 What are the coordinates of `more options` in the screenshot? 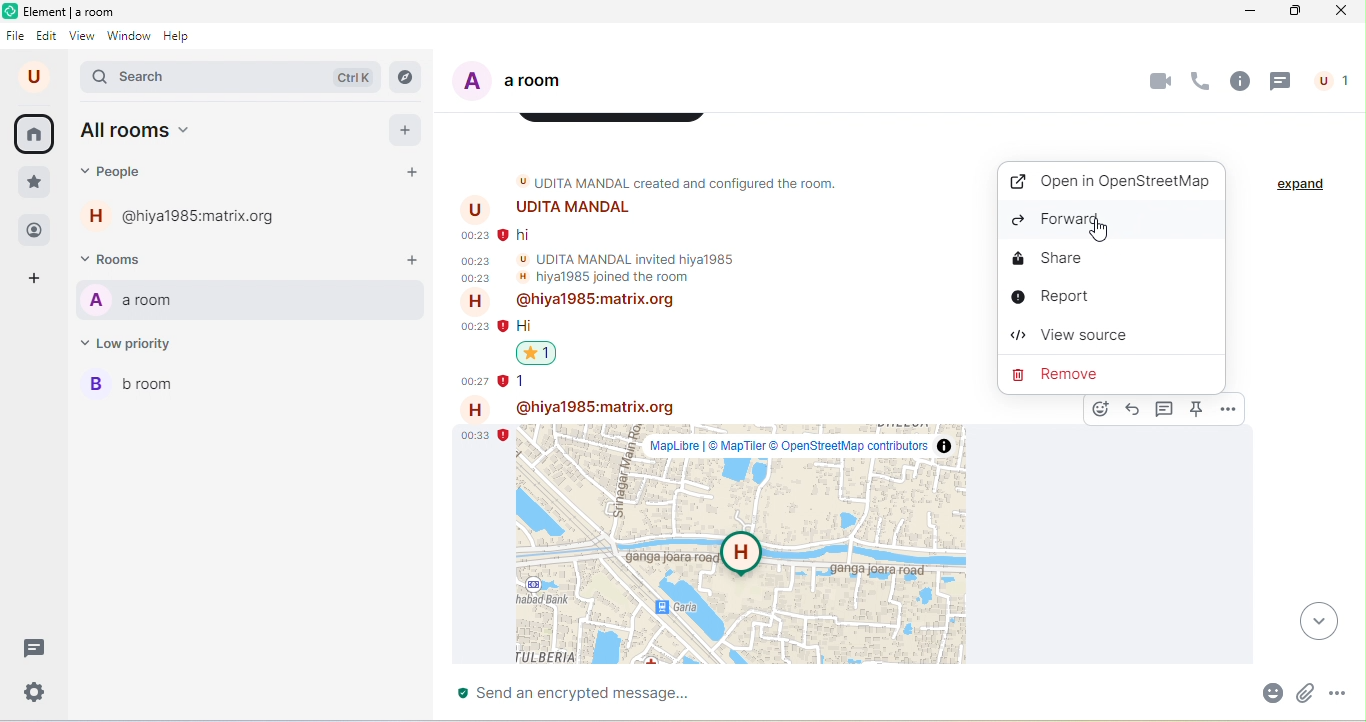 It's located at (1346, 694).